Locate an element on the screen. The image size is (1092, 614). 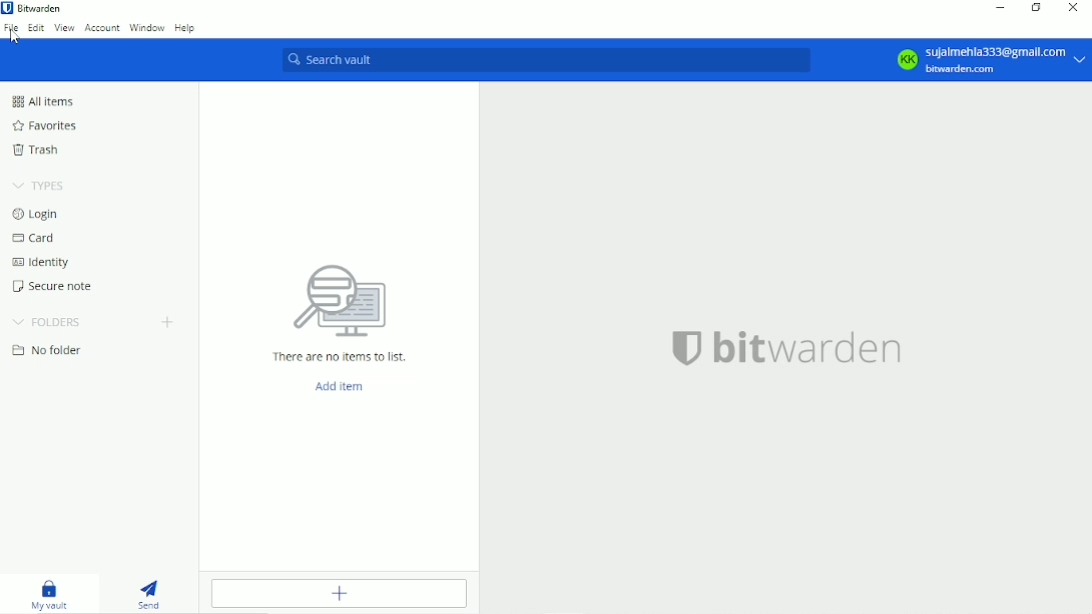
My vault is located at coordinates (50, 594).